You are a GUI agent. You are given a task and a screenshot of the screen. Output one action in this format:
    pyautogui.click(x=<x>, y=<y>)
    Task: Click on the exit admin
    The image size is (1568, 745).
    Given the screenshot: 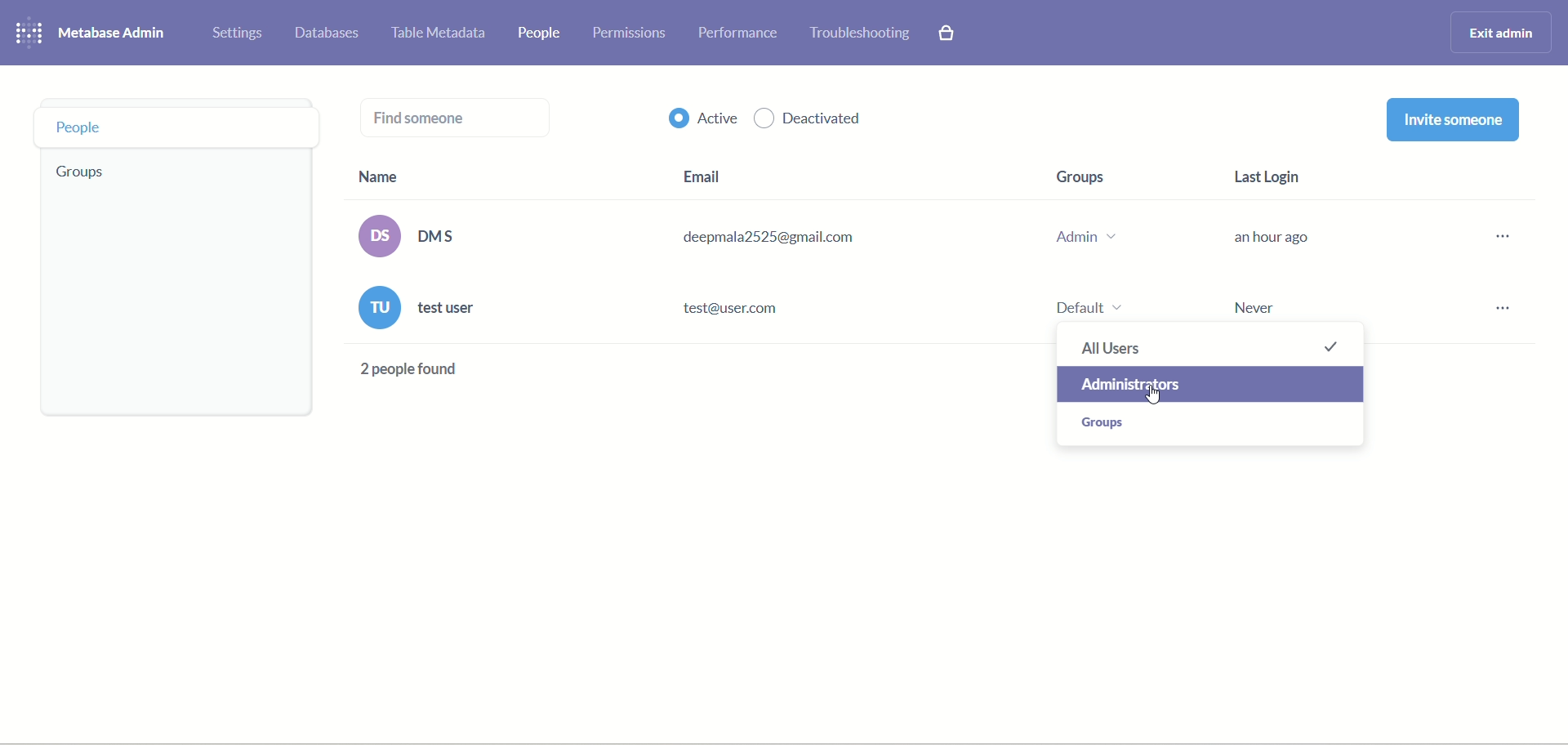 What is the action you would take?
    pyautogui.click(x=1503, y=30)
    